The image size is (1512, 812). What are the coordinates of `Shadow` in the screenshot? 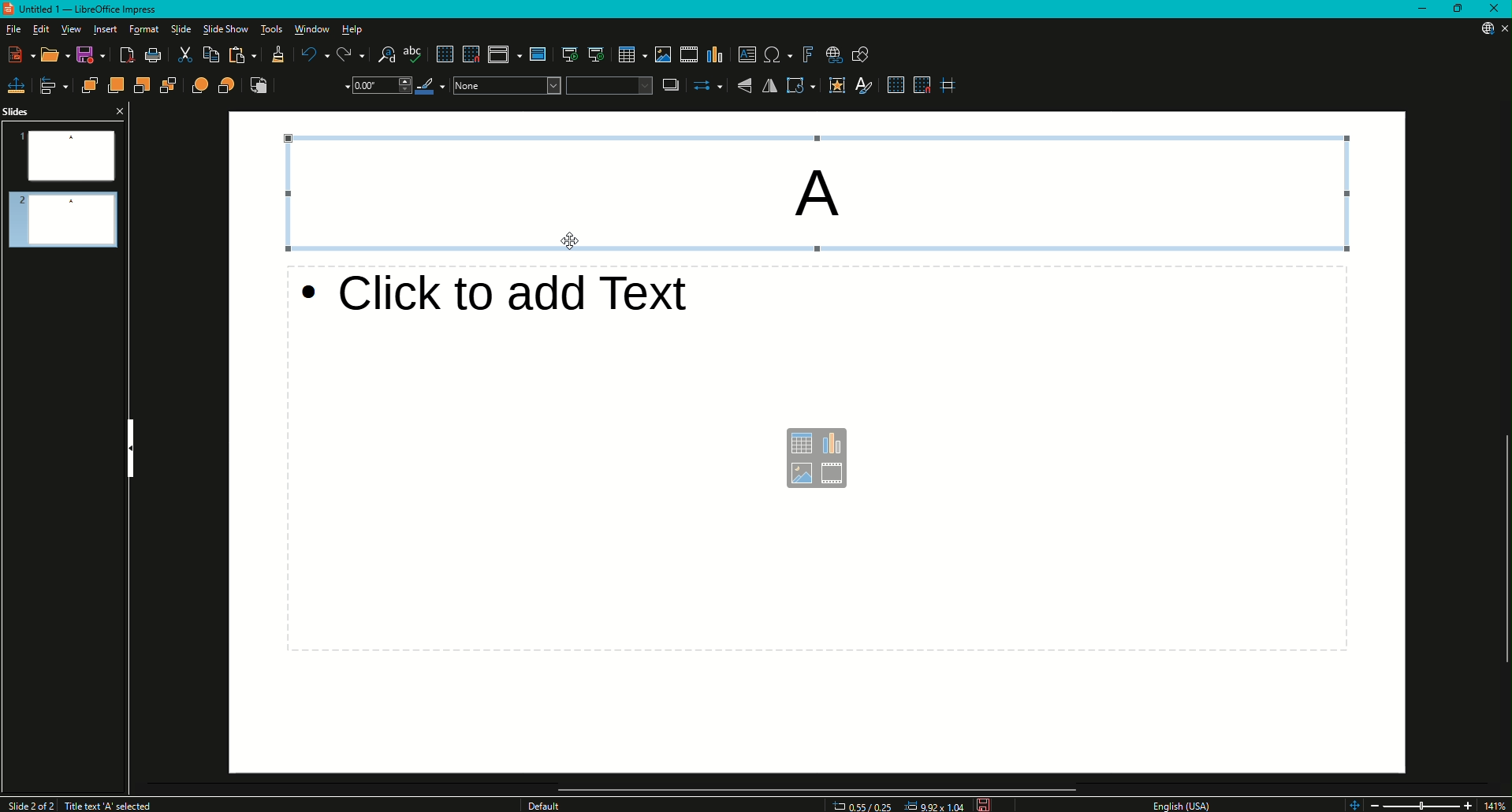 It's located at (670, 85).